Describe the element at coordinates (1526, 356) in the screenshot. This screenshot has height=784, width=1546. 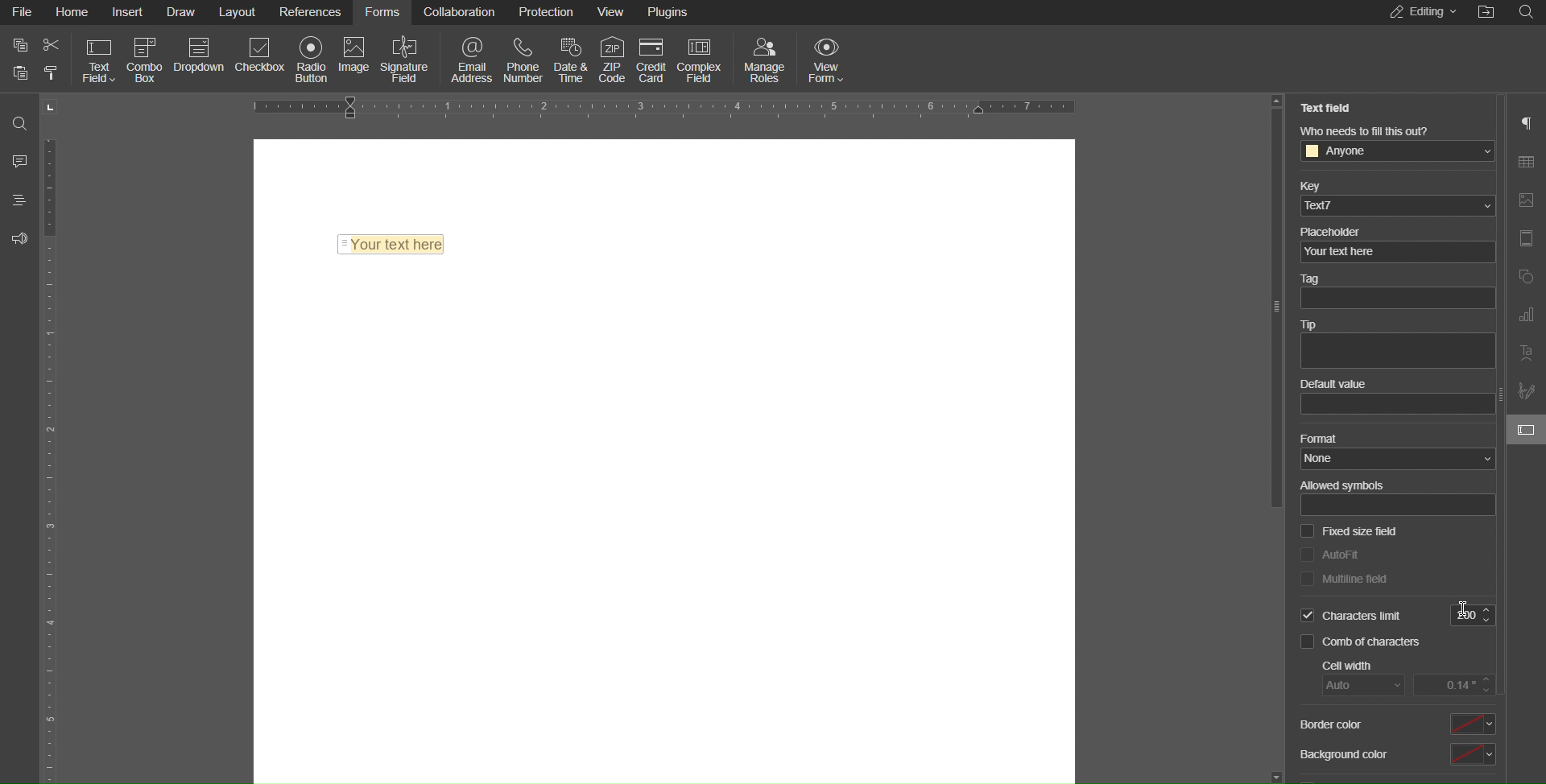
I see `Text Art` at that location.